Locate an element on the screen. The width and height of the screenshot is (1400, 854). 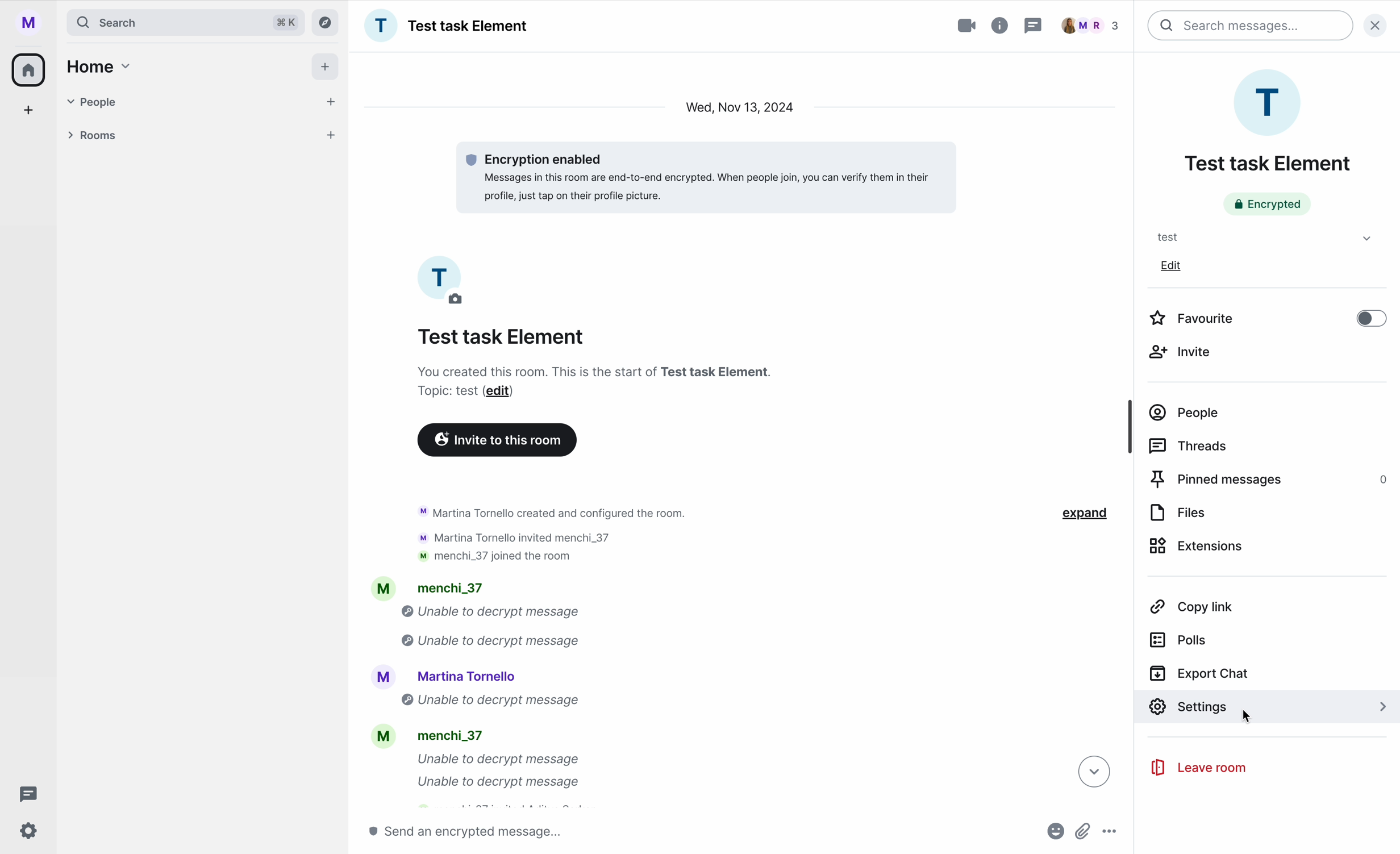
pinned messages 0 is located at coordinates (1270, 480).